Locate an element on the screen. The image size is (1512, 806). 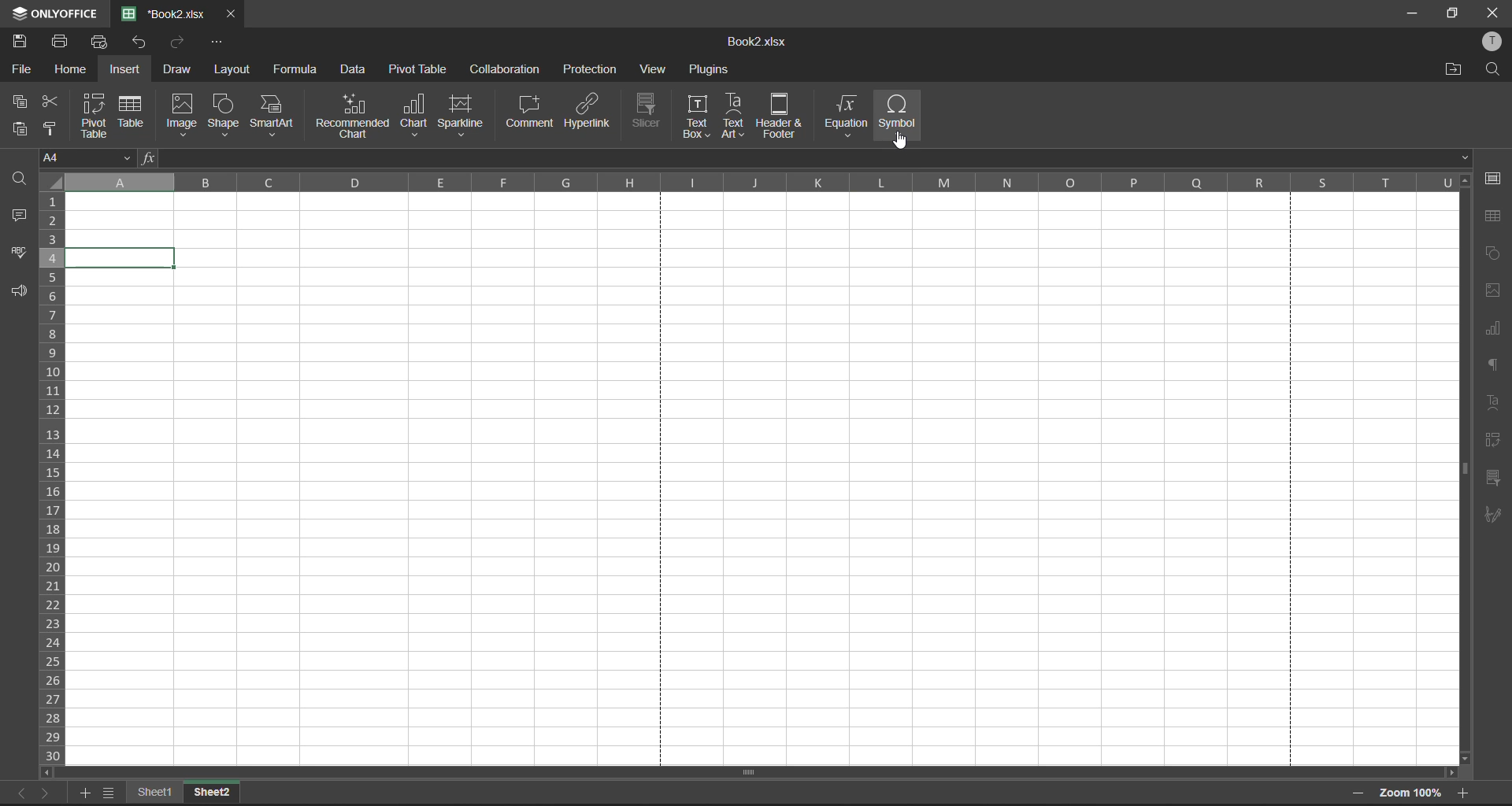
cell settings is located at coordinates (1494, 181).